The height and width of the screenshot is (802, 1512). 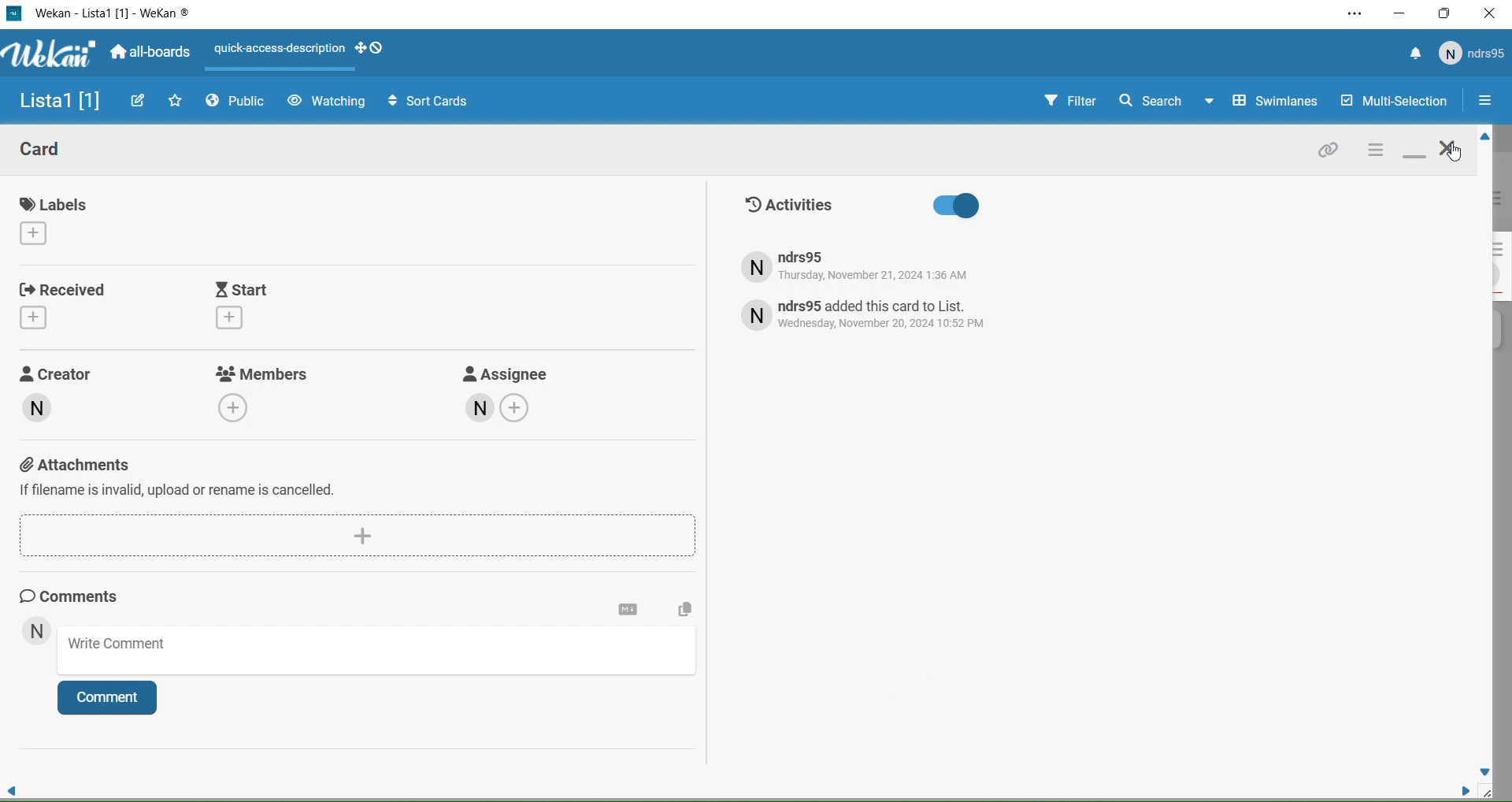 What do you see at coordinates (114, 701) in the screenshot?
I see `Coment` at bounding box center [114, 701].